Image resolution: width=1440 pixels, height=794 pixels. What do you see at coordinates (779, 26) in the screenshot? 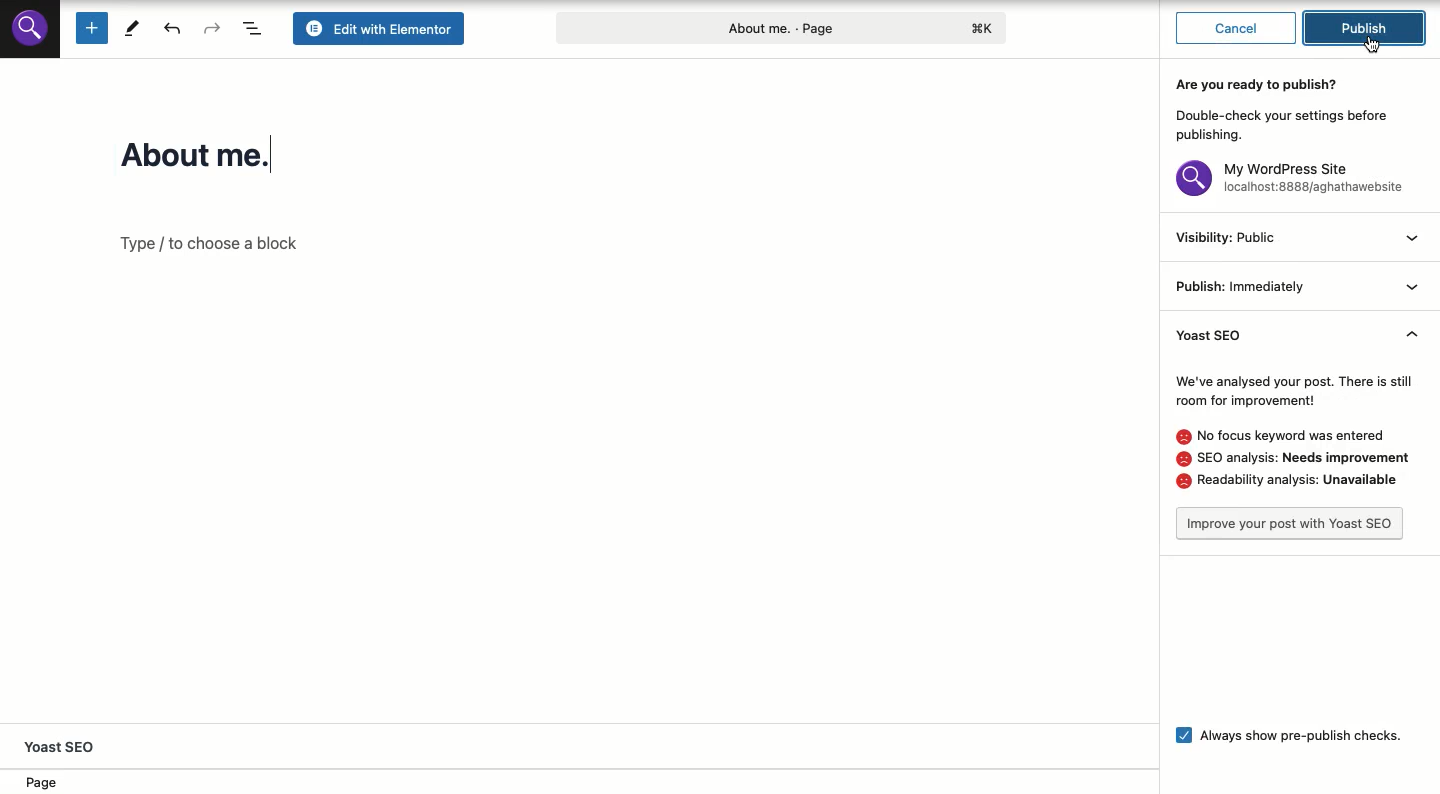
I see `About me - Page` at bounding box center [779, 26].